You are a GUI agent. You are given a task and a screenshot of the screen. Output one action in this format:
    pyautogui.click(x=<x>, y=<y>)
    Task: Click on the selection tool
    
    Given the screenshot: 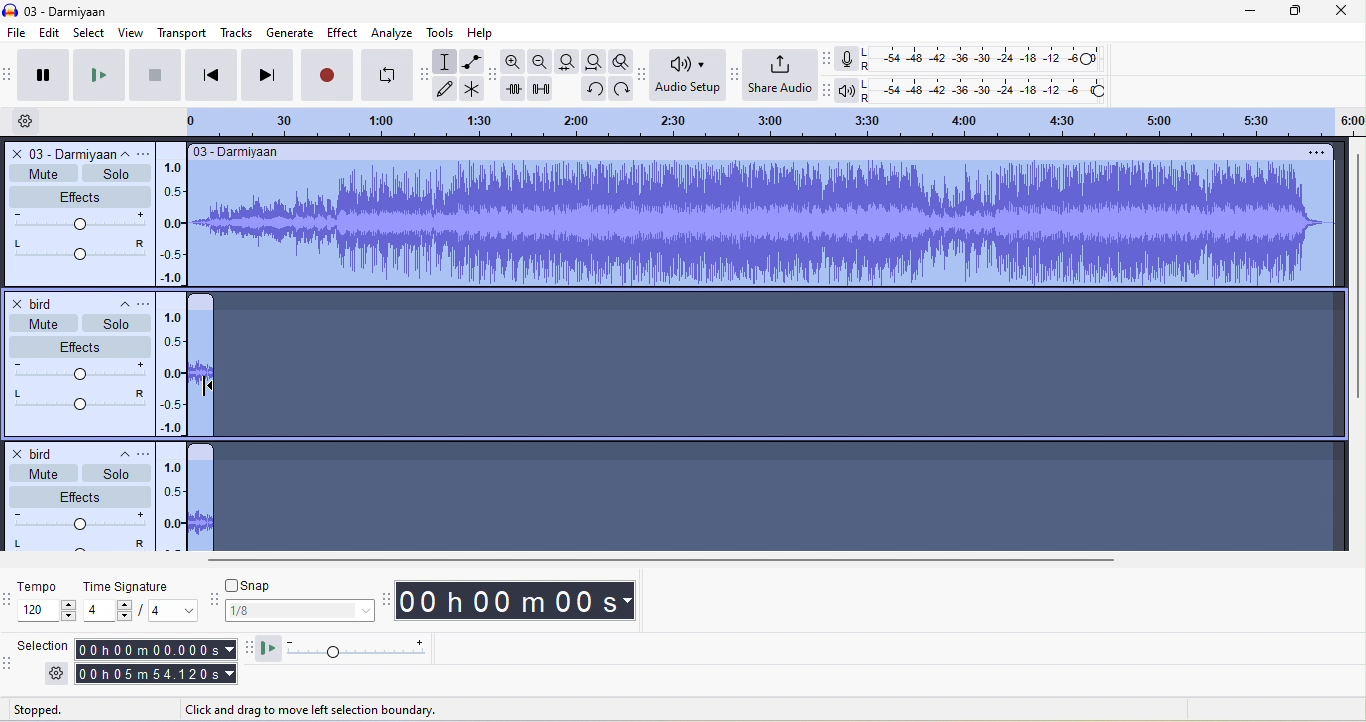 What is the action you would take?
    pyautogui.click(x=449, y=62)
    